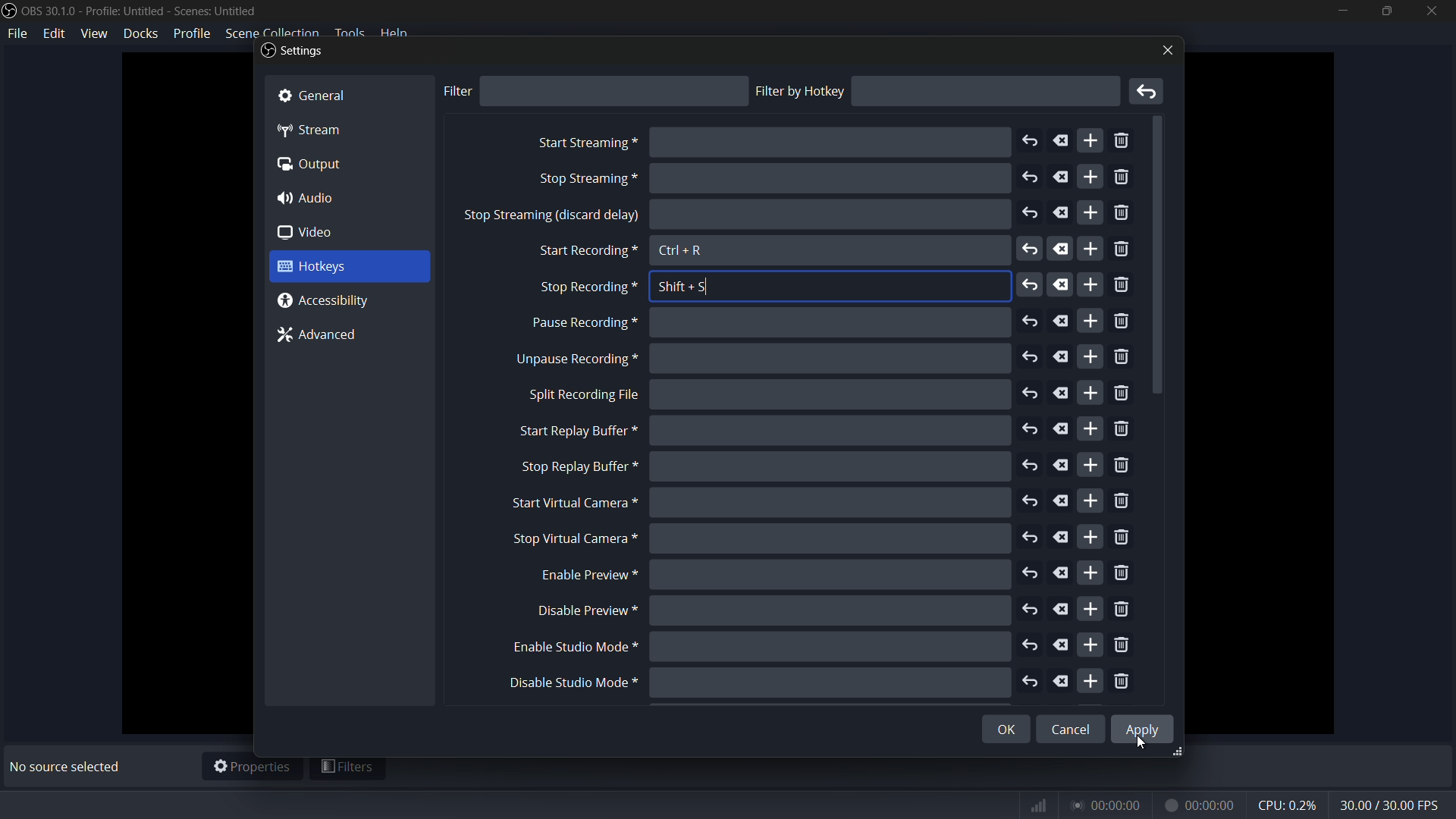 The height and width of the screenshot is (819, 1456). Describe the element at coordinates (1123, 502) in the screenshot. I see `remove` at that location.